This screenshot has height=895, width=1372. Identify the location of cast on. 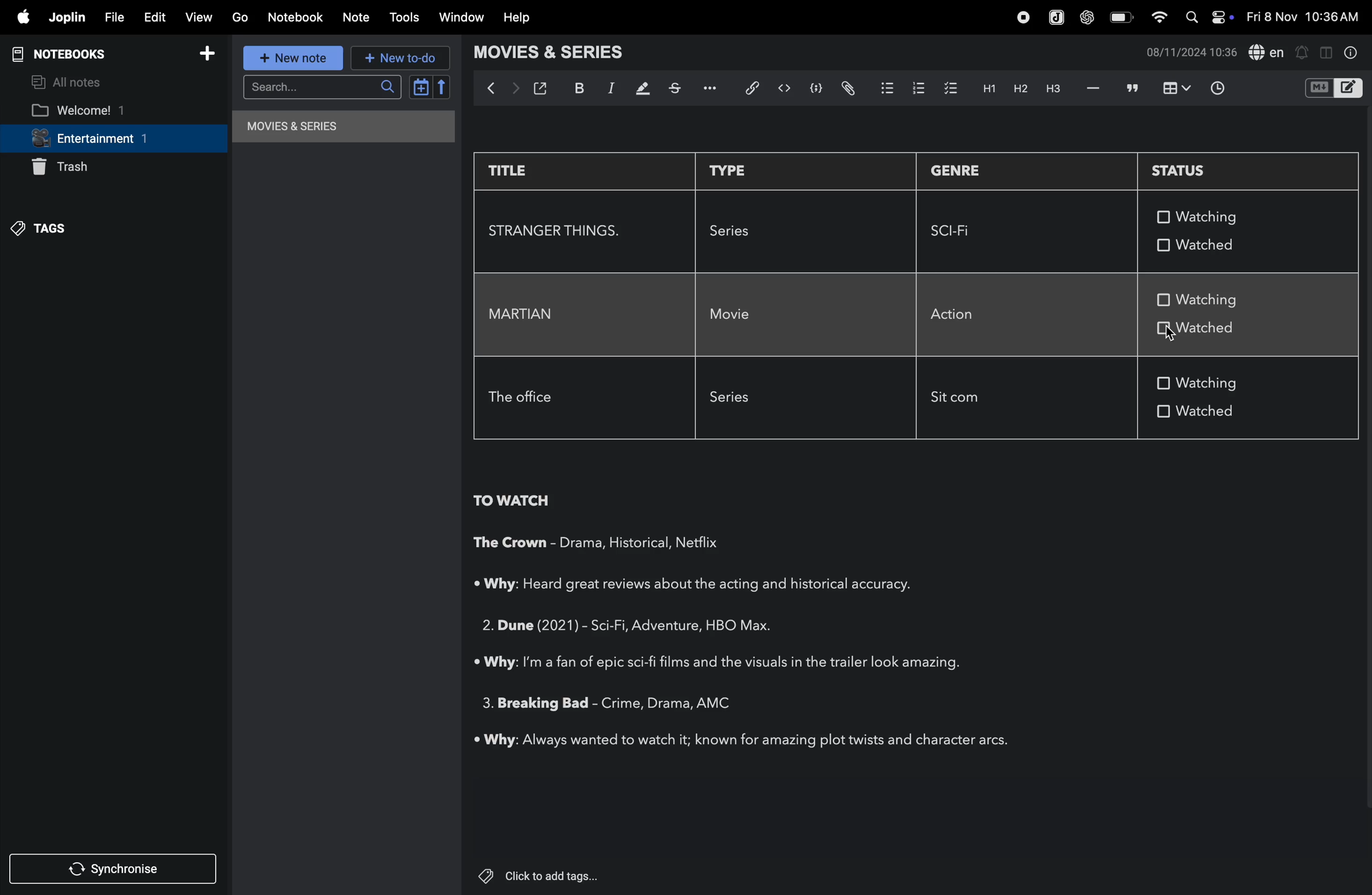
(748, 626).